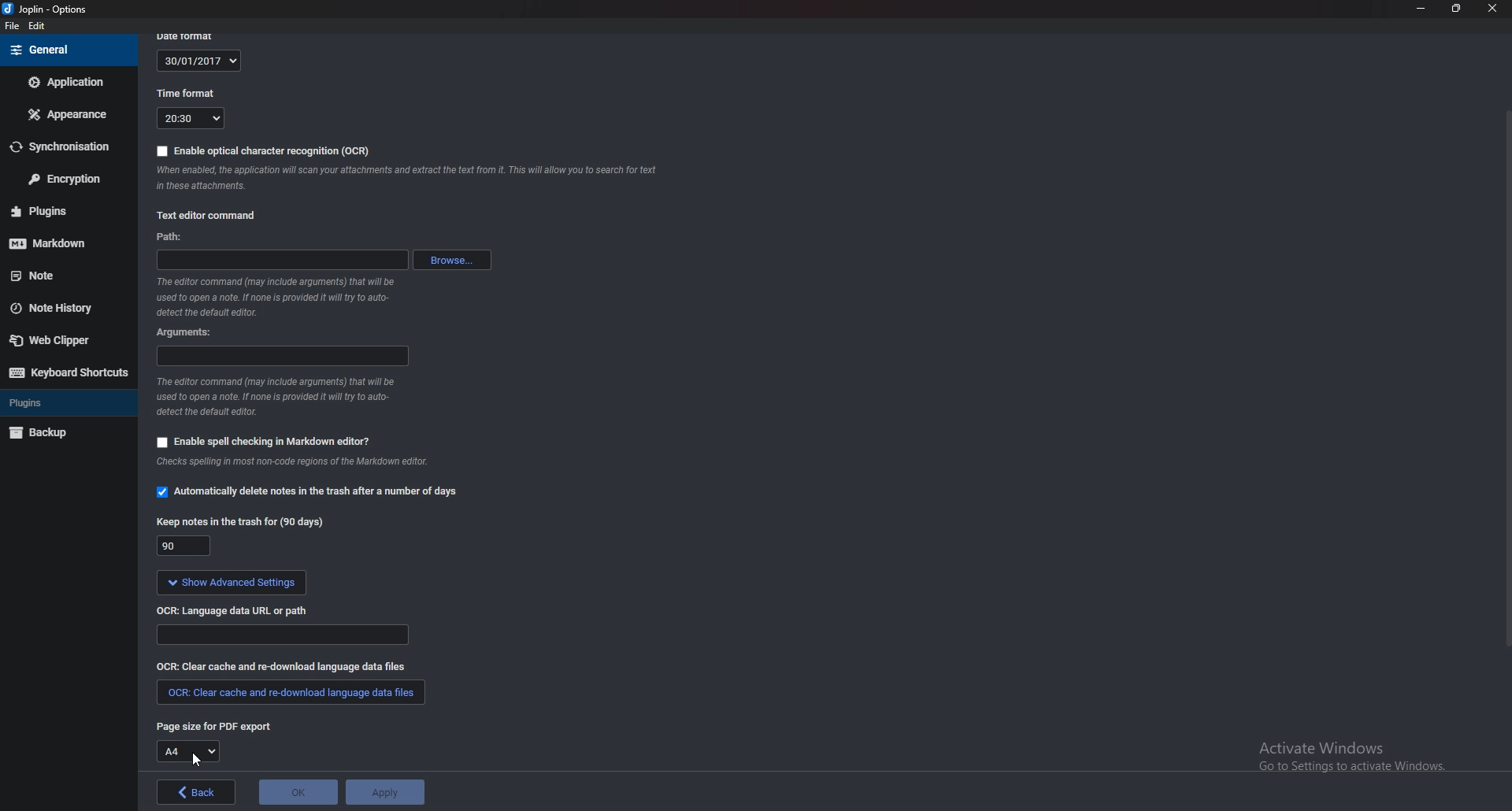 Image resolution: width=1512 pixels, height=811 pixels. What do you see at coordinates (191, 333) in the screenshot?
I see `Arguments` at bounding box center [191, 333].